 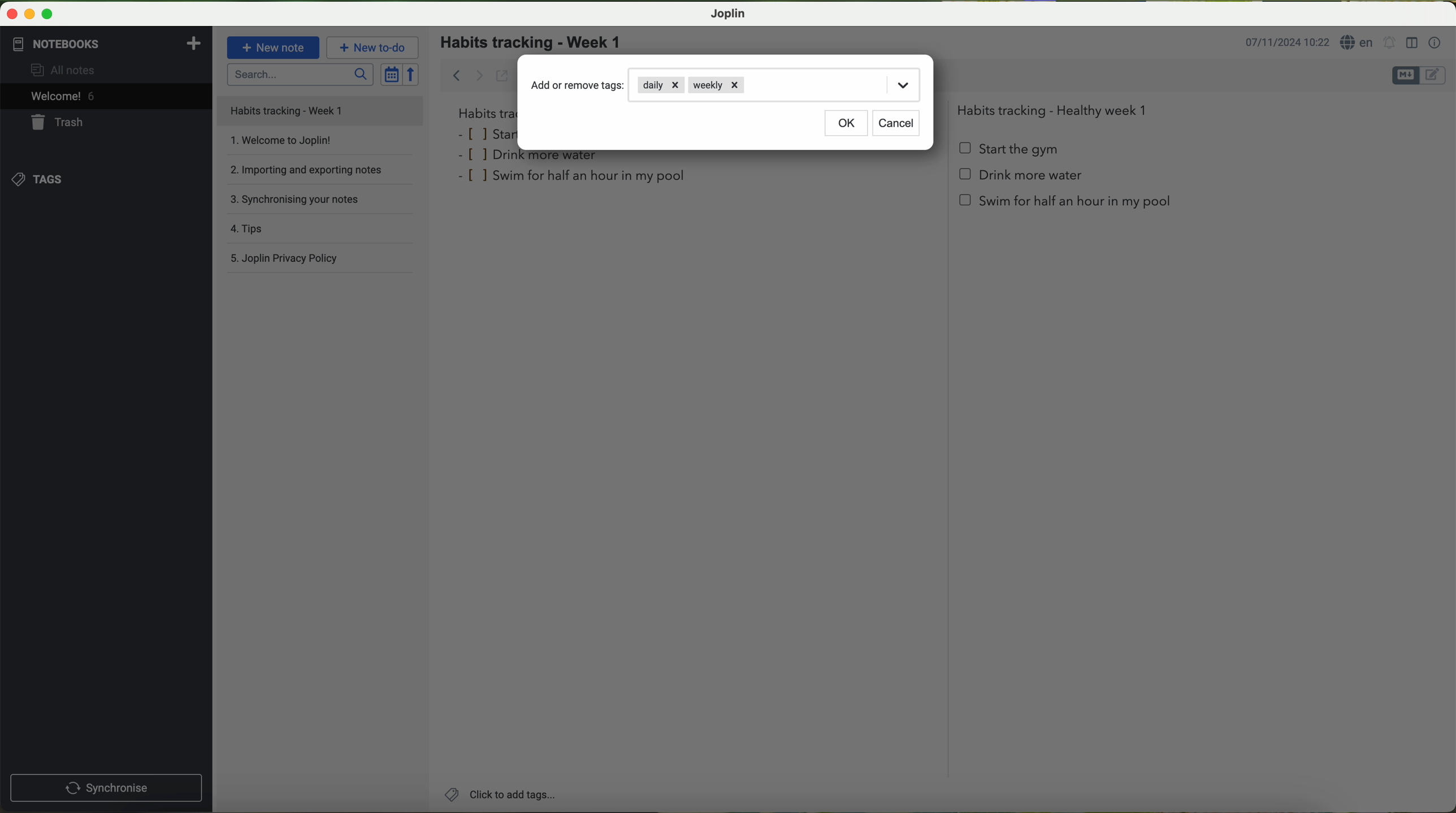 What do you see at coordinates (1010, 149) in the screenshot?
I see `start the gym` at bounding box center [1010, 149].